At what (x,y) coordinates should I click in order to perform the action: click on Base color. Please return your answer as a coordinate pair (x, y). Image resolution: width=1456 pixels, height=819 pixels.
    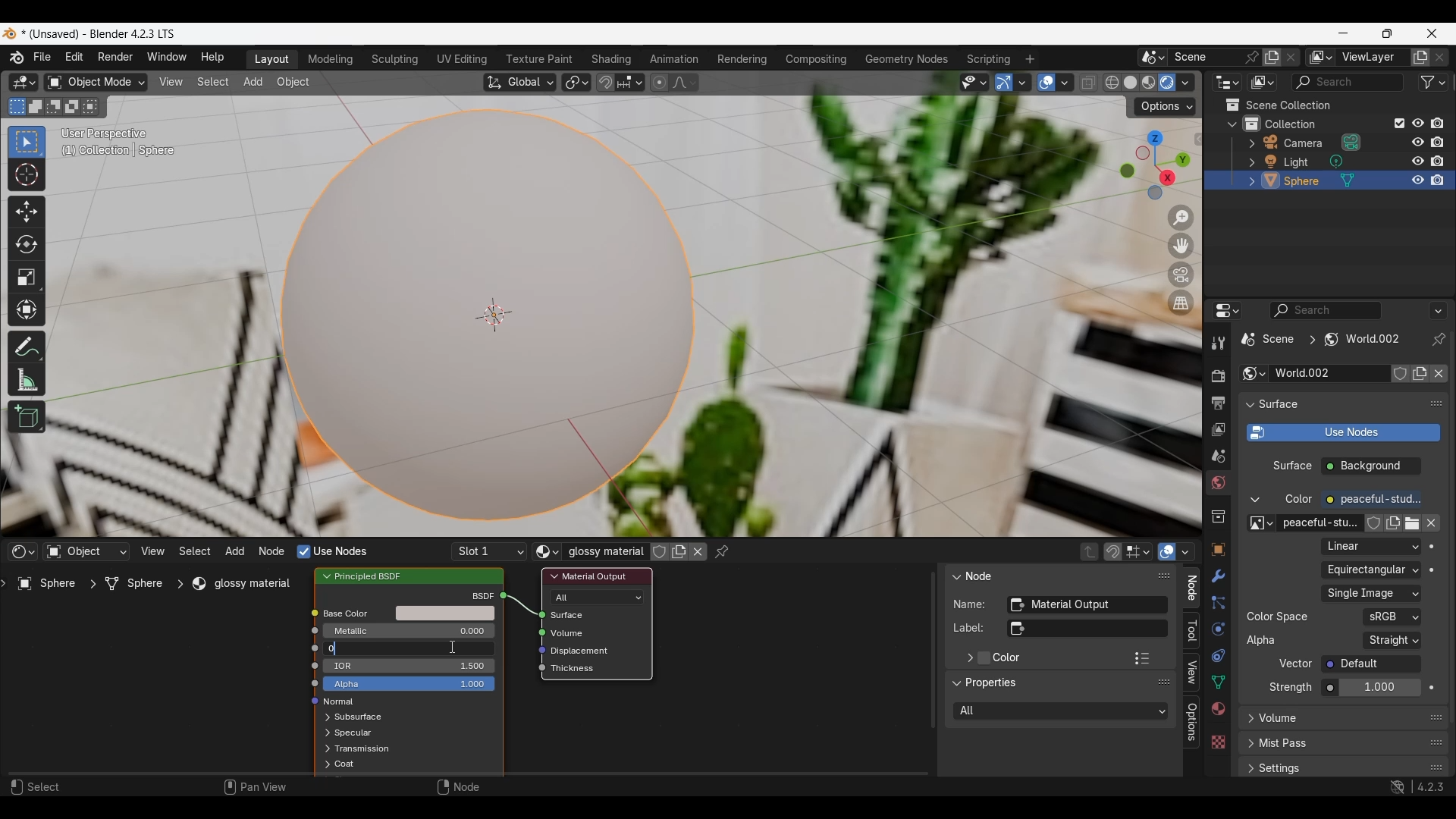
    Looking at the image, I should click on (356, 614).